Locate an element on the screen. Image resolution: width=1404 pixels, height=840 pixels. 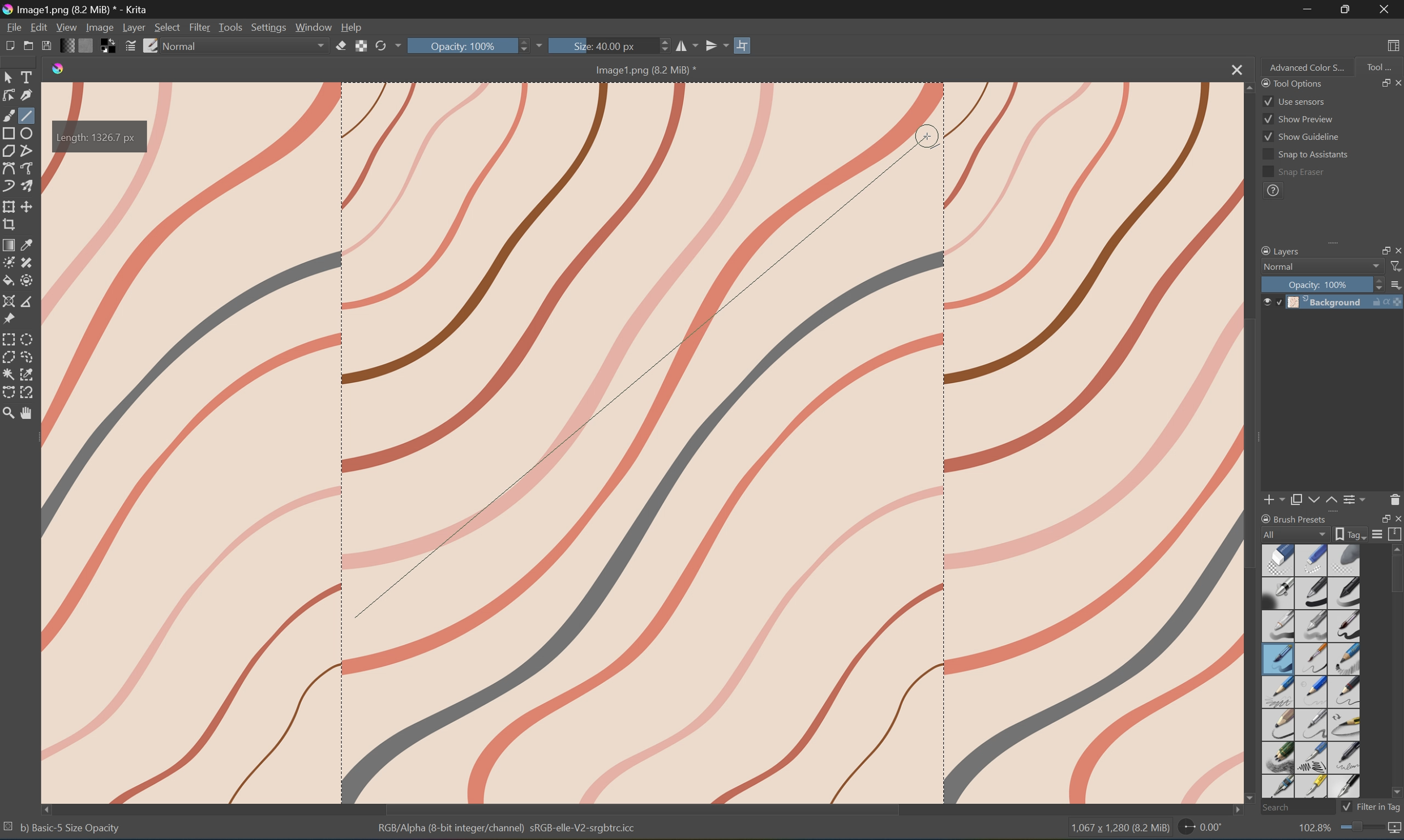
Show guideline is located at coordinates (1302, 139).